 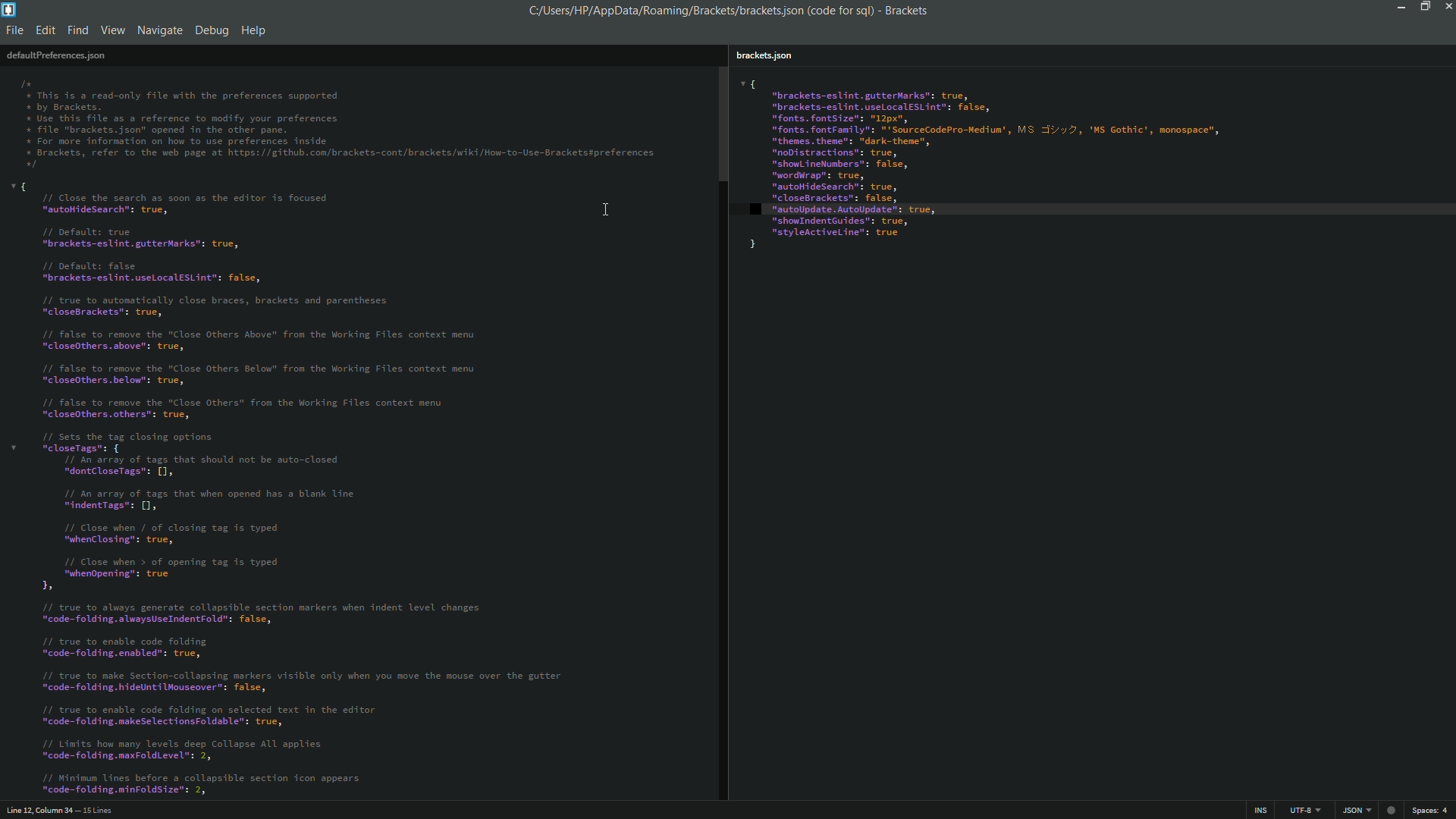 I want to click on view menu, so click(x=113, y=30).